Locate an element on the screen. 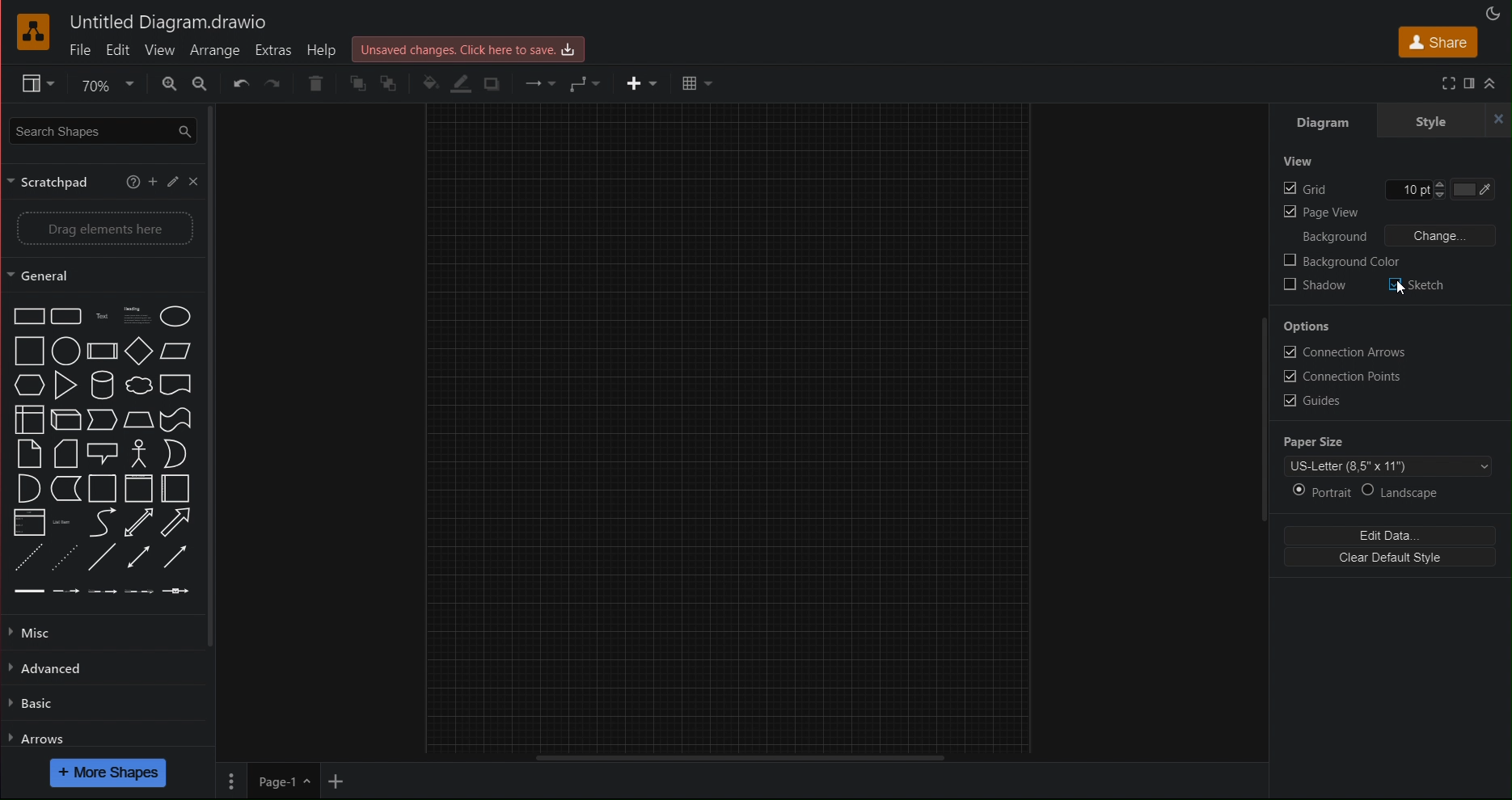 The width and height of the screenshot is (1512, 800). Clear Default Style is located at coordinates (1394, 562).